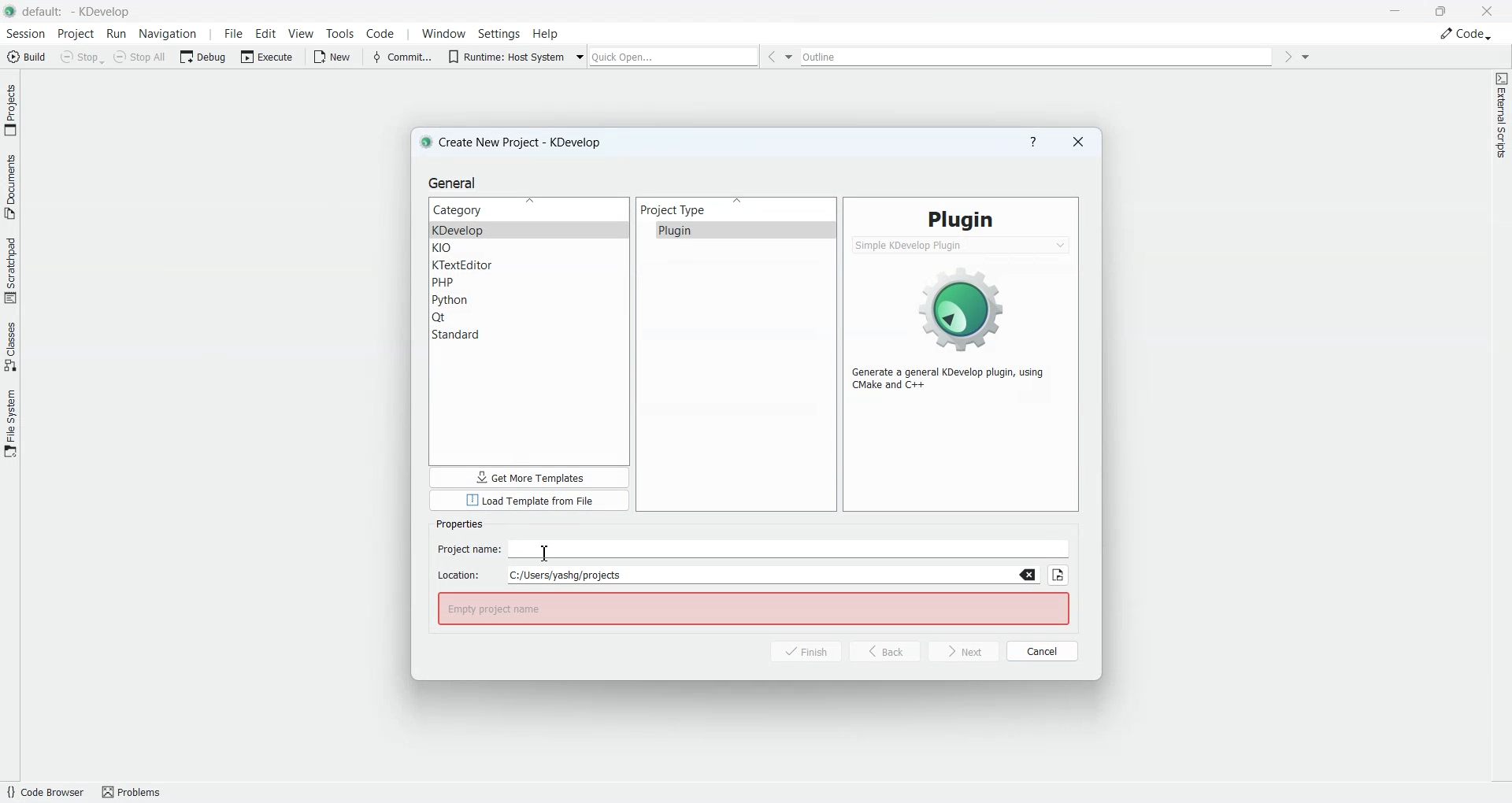 The width and height of the screenshot is (1512, 803). Describe the element at coordinates (581, 55) in the screenshot. I see `Drop down box` at that location.